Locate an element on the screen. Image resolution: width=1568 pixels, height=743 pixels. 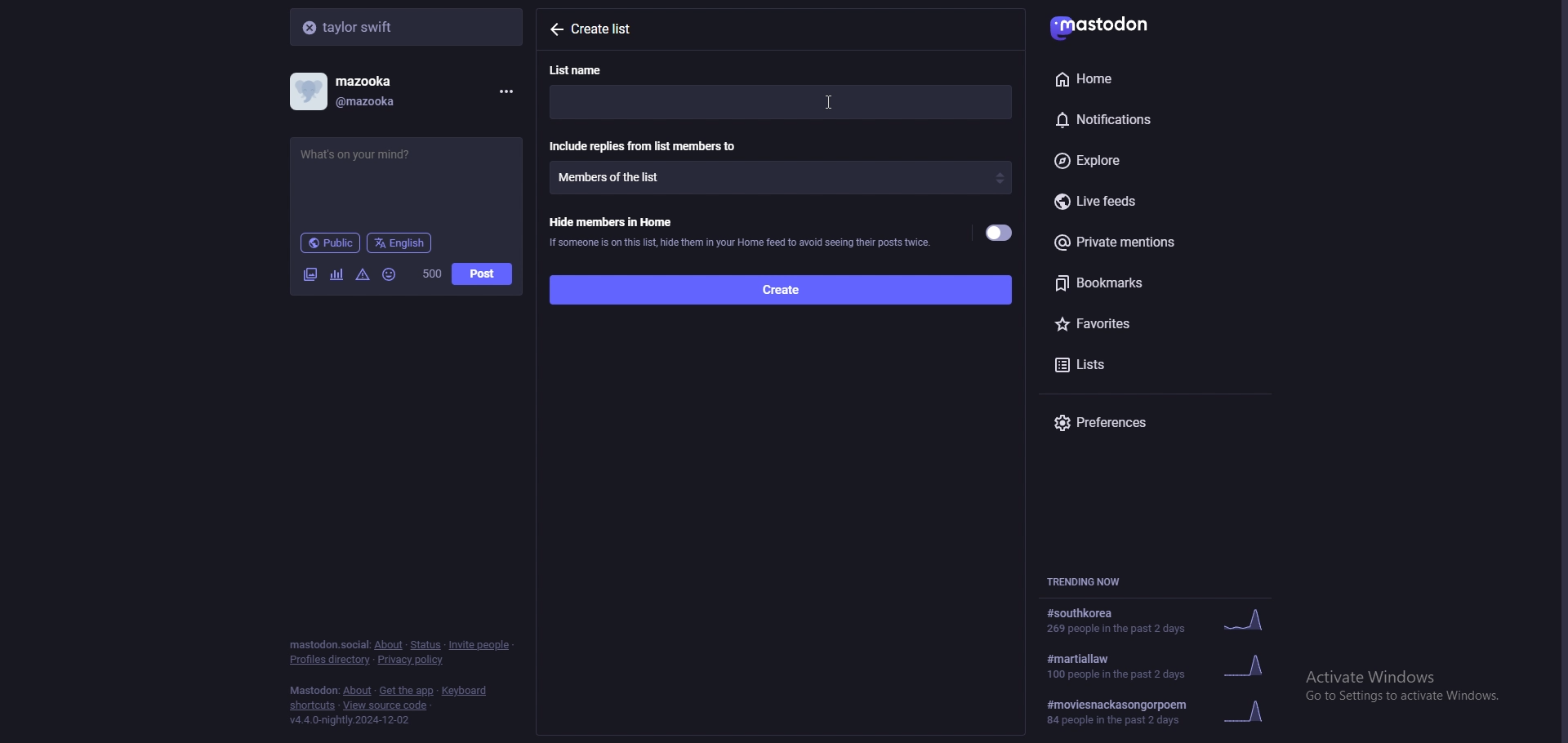
language is located at coordinates (400, 242).